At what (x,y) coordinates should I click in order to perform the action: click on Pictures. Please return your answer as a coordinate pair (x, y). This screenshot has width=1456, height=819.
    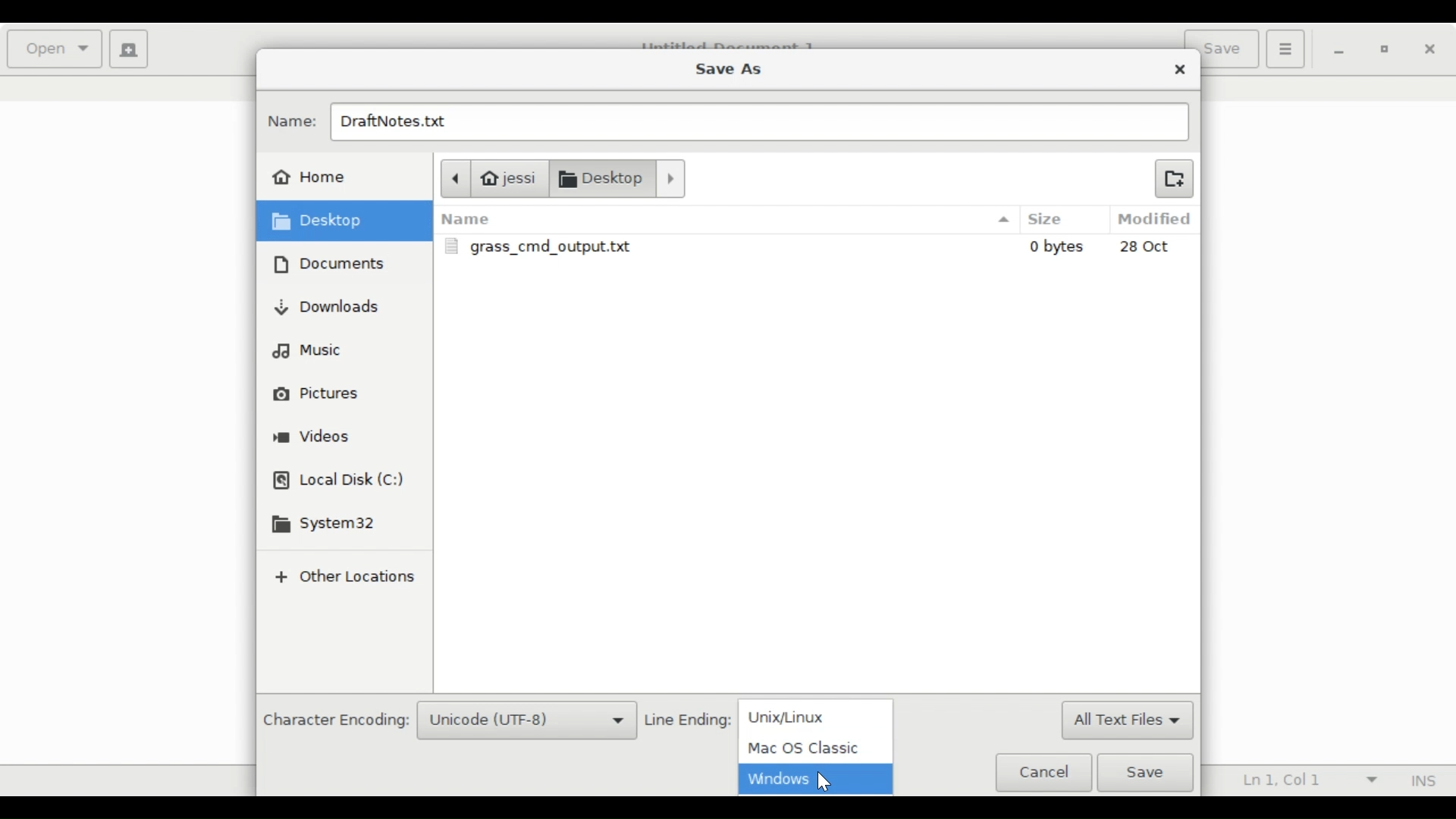
    Looking at the image, I should click on (317, 394).